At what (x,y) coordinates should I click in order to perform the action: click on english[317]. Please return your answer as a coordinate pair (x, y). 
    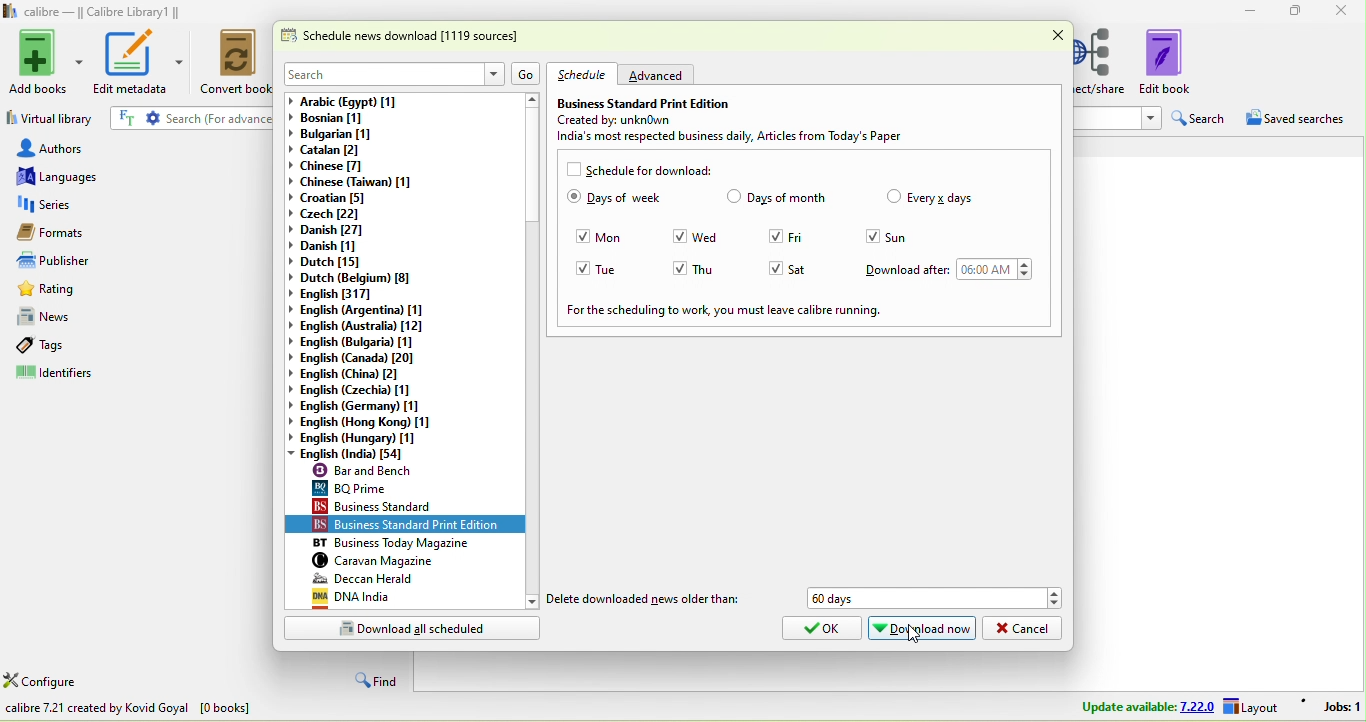
    Looking at the image, I should click on (353, 294).